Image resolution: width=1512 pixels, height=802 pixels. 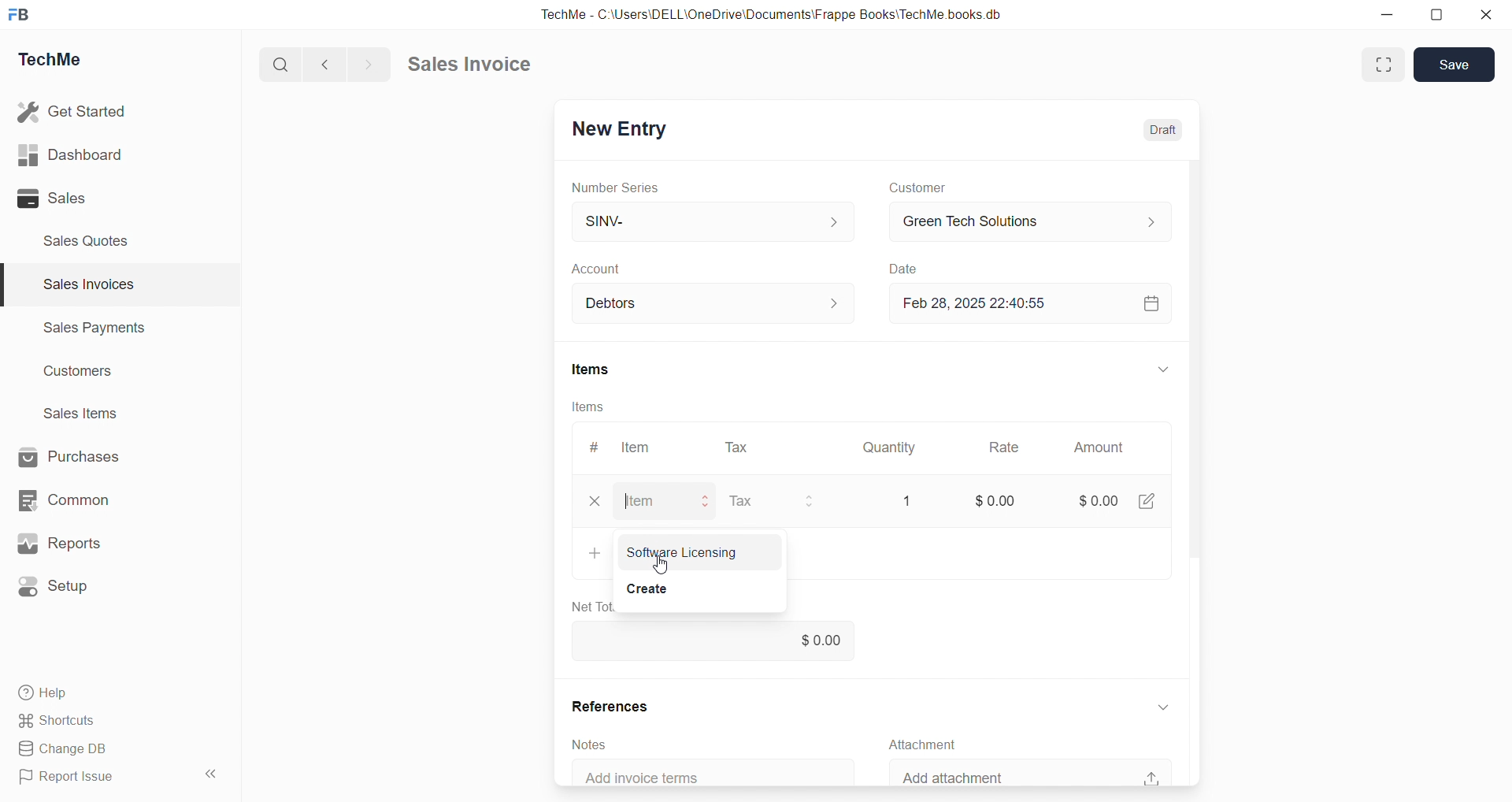 What do you see at coordinates (595, 447) in the screenshot?
I see `#` at bounding box center [595, 447].